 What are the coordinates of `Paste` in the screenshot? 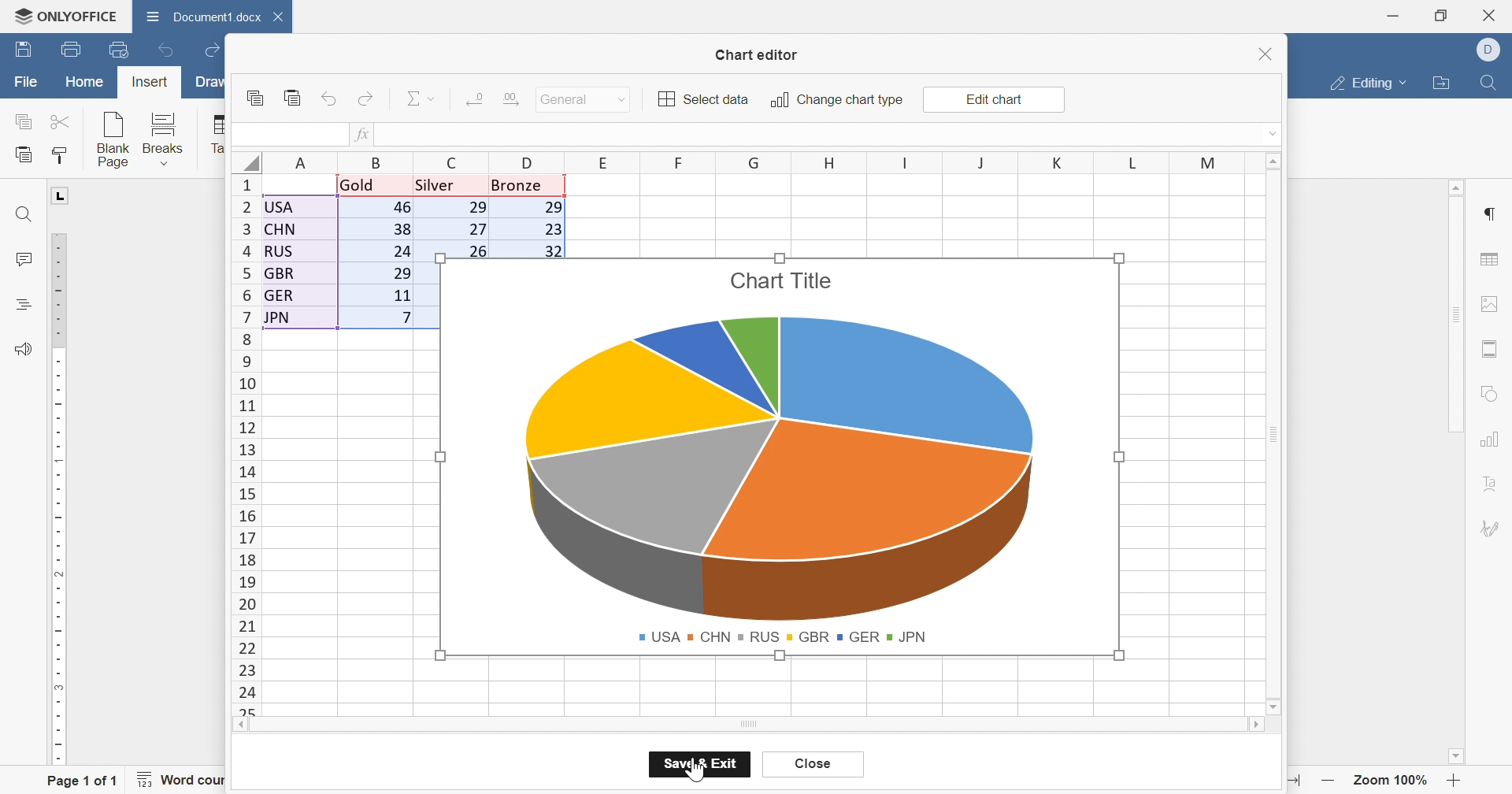 It's located at (294, 98).